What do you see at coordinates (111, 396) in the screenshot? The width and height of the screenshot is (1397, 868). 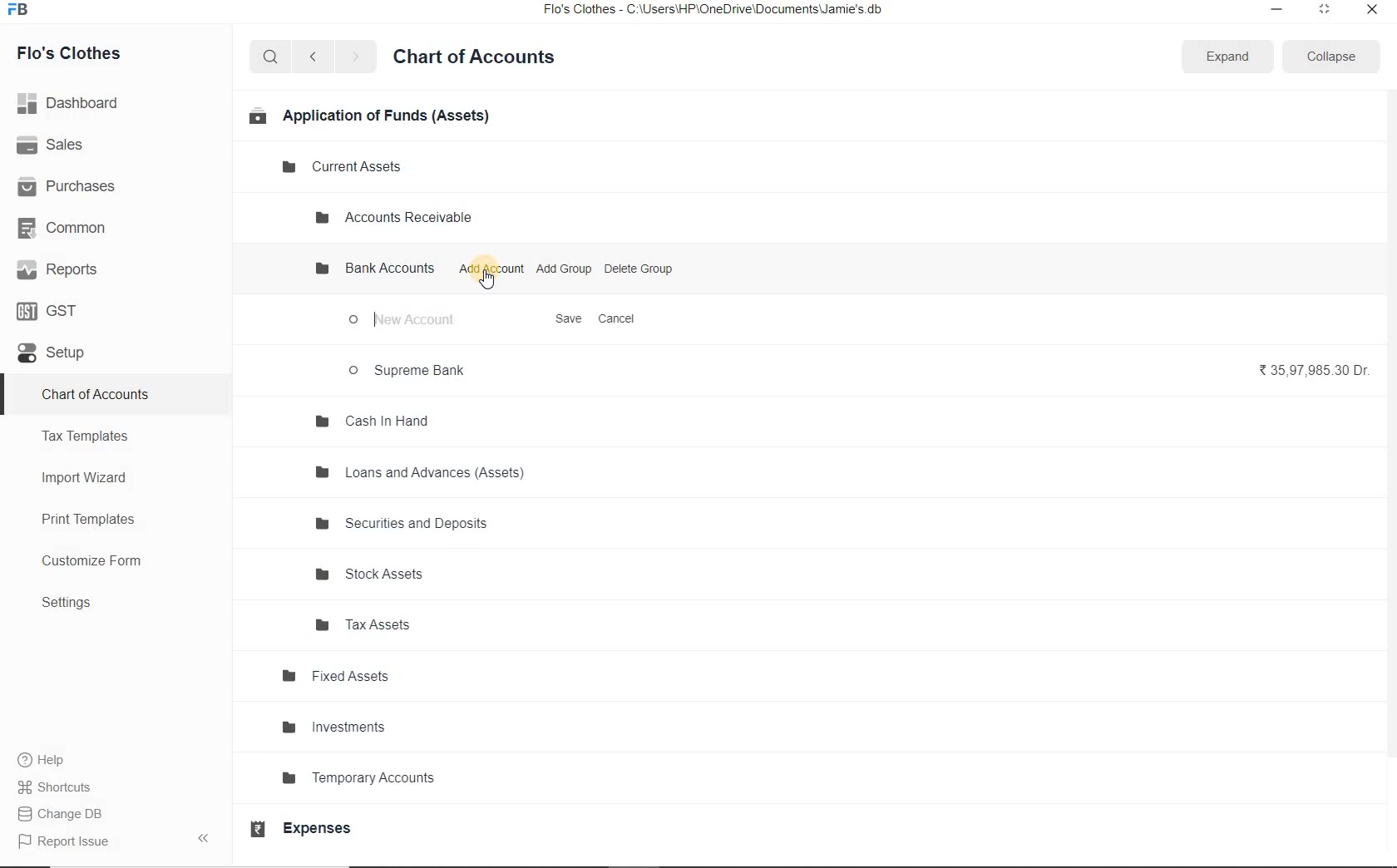 I see `chart of Accounts` at bounding box center [111, 396].